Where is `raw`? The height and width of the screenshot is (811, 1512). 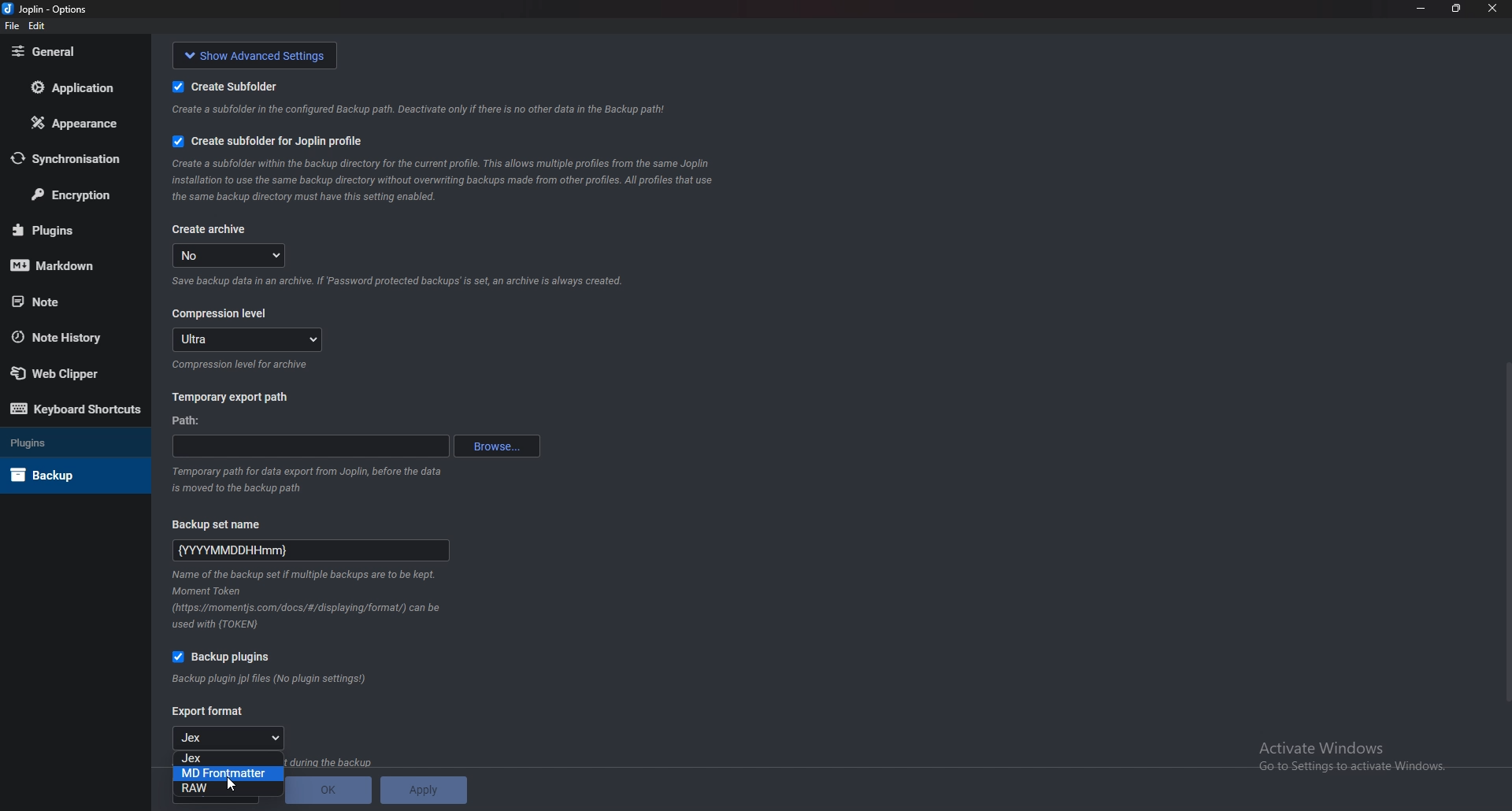
raw is located at coordinates (228, 788).